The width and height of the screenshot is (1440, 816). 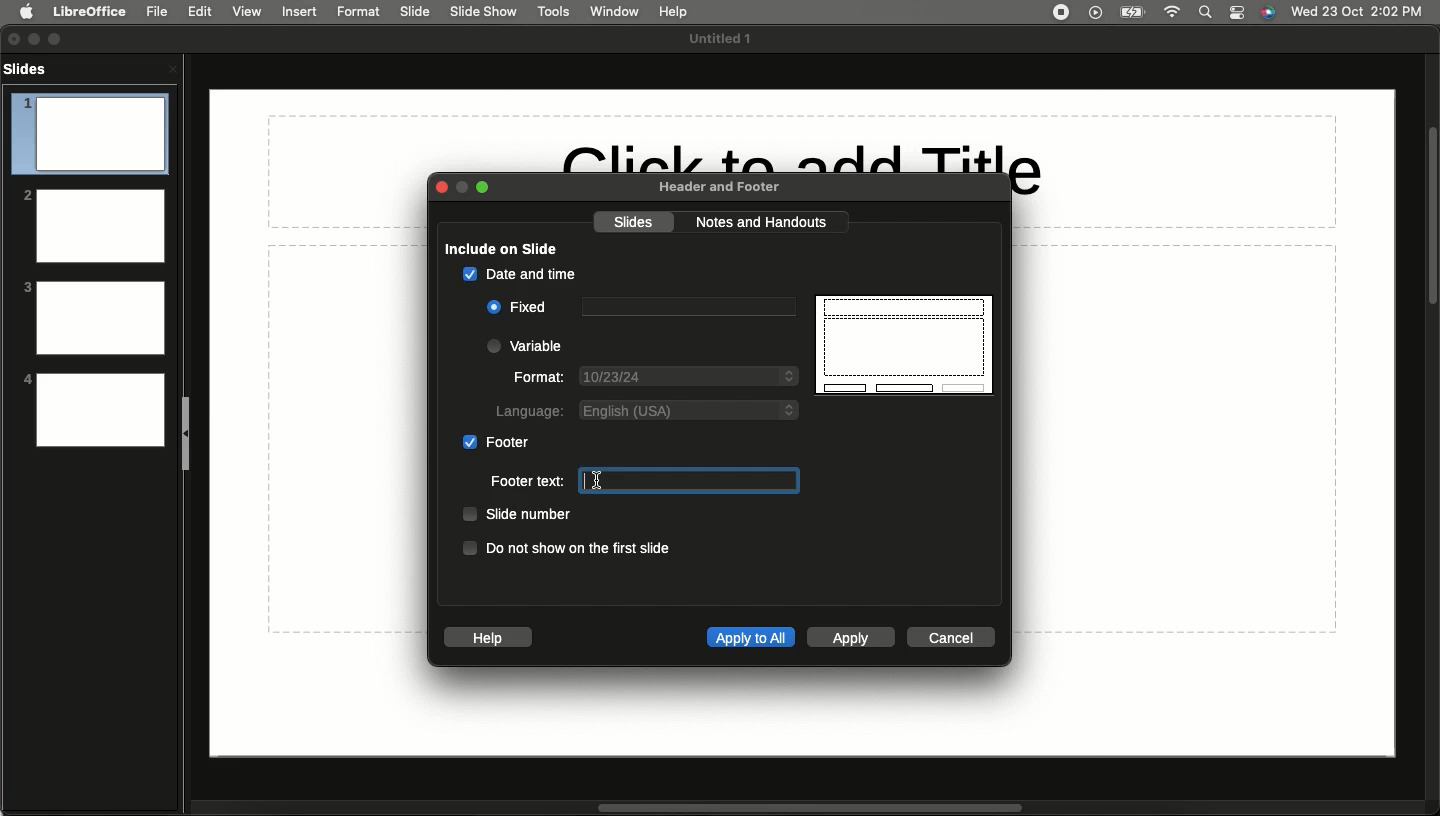 I want to click on Slide show, so click(x=486, y=12).